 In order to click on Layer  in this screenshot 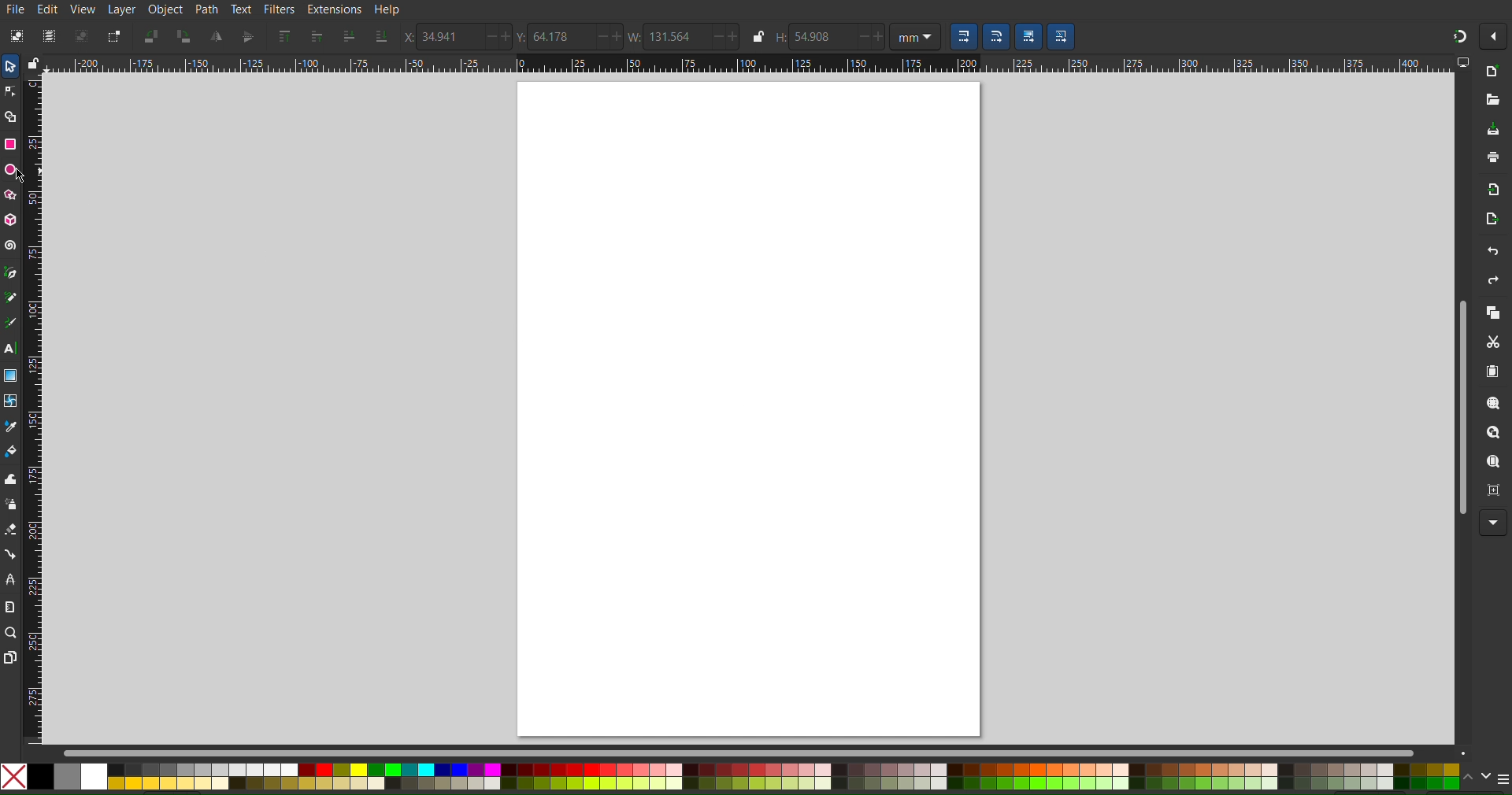, I will do `click(122, 11)`.